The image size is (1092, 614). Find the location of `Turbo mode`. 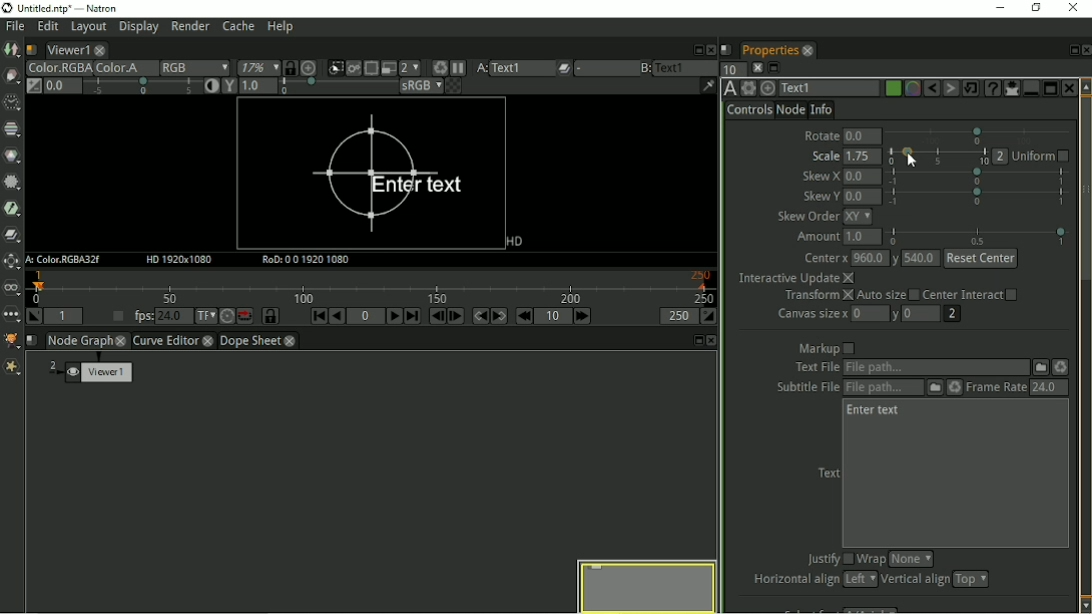

Turbo mode is located at coordinates (227, 316).